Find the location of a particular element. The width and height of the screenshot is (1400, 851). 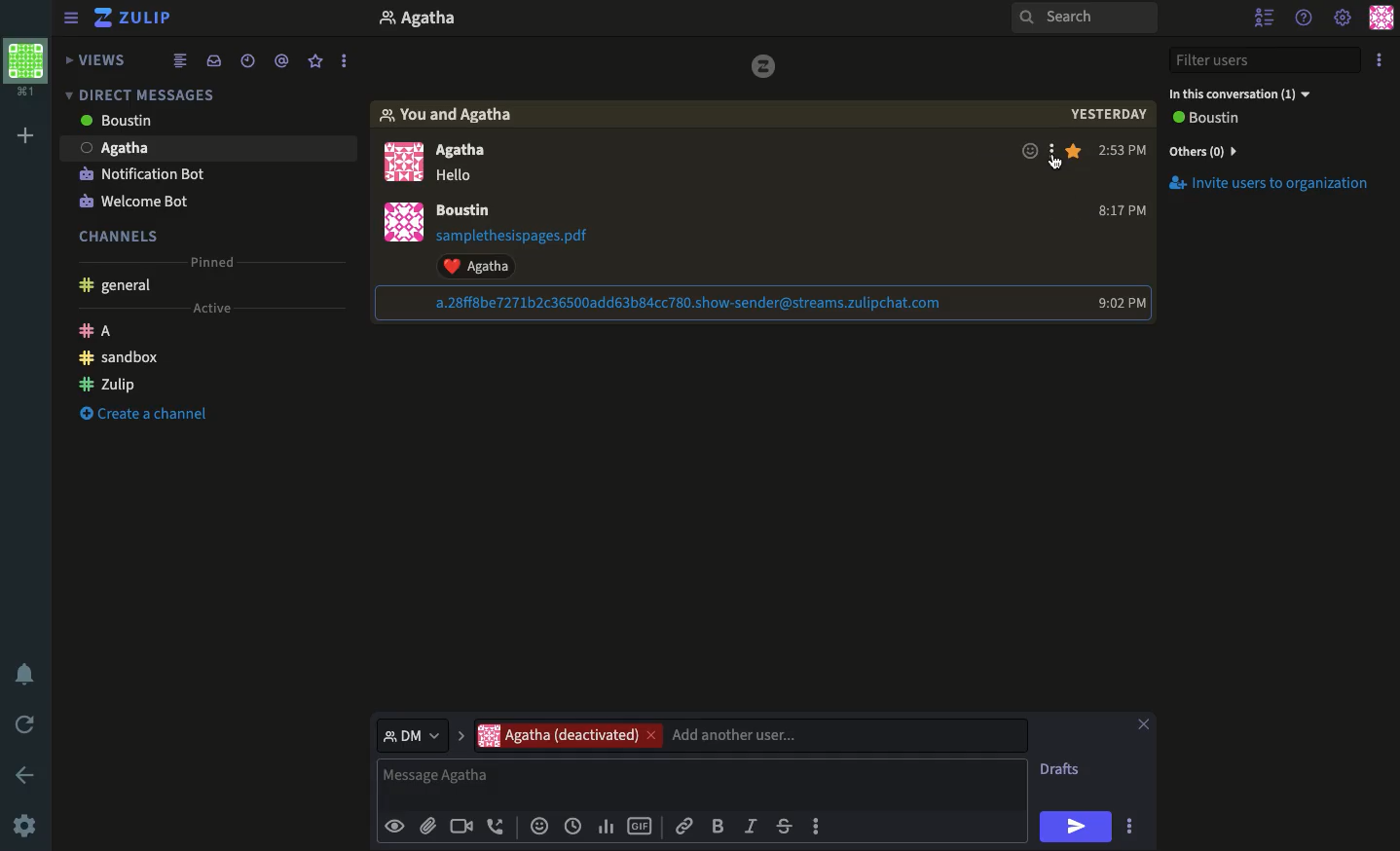

Settings is located at coordinates (1344, 16).